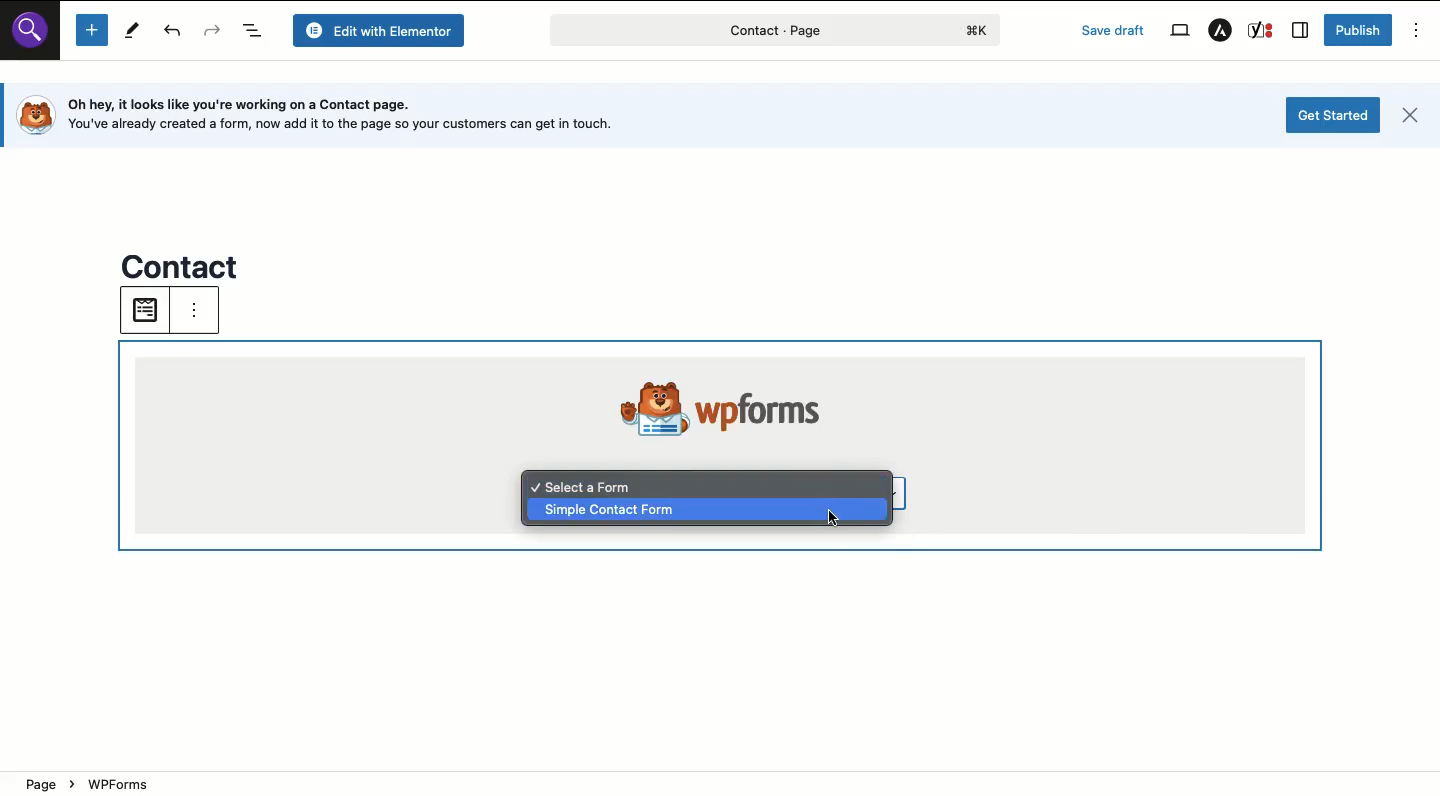 The height and width of the screenshot is (796, 1440). Describe the element at coordinates (1261, 30) in the screenshot. I see `Yoast` at that location.